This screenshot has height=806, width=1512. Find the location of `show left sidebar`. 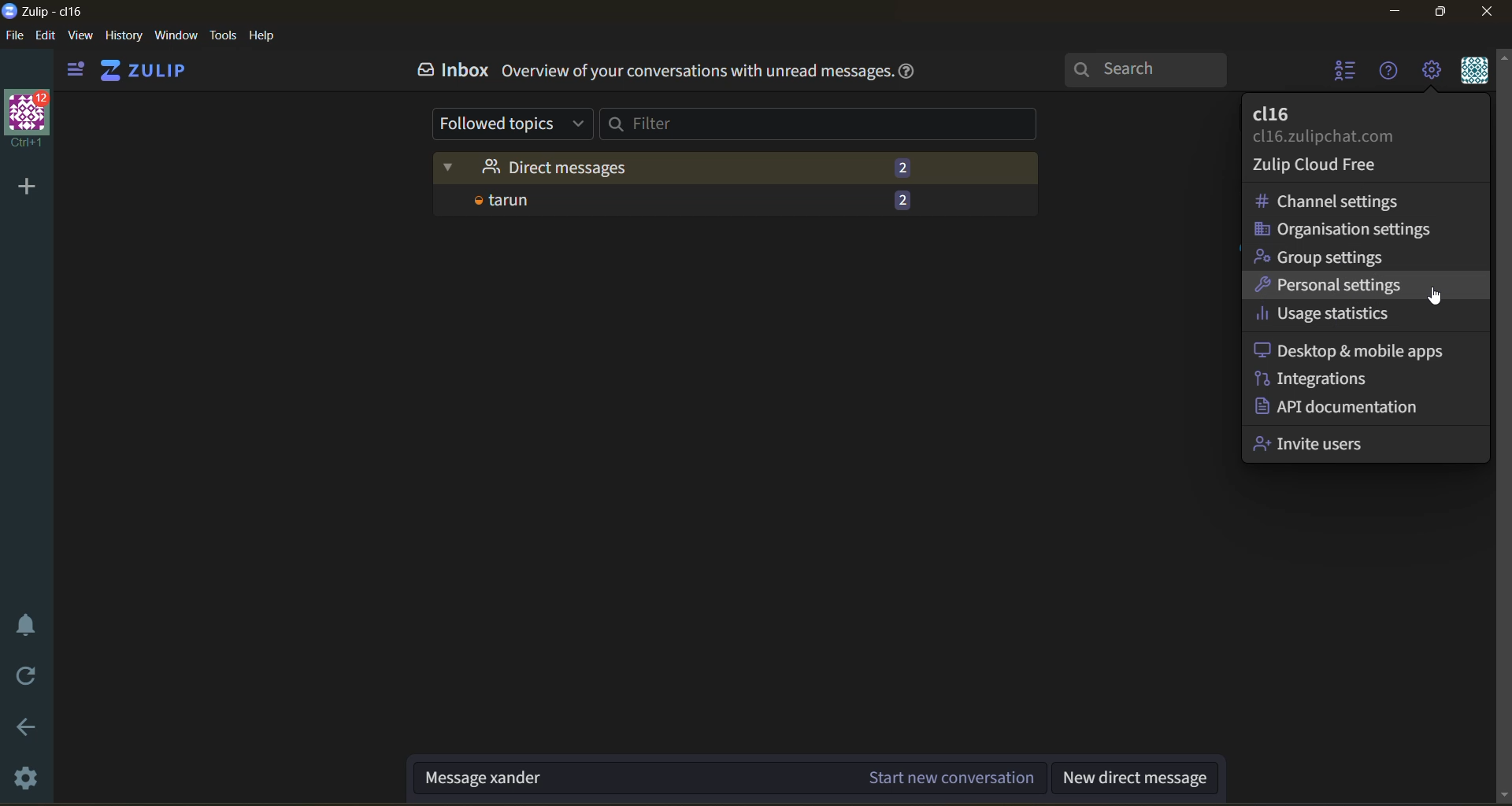

show left sidebar is located at coordinates (72, 70).